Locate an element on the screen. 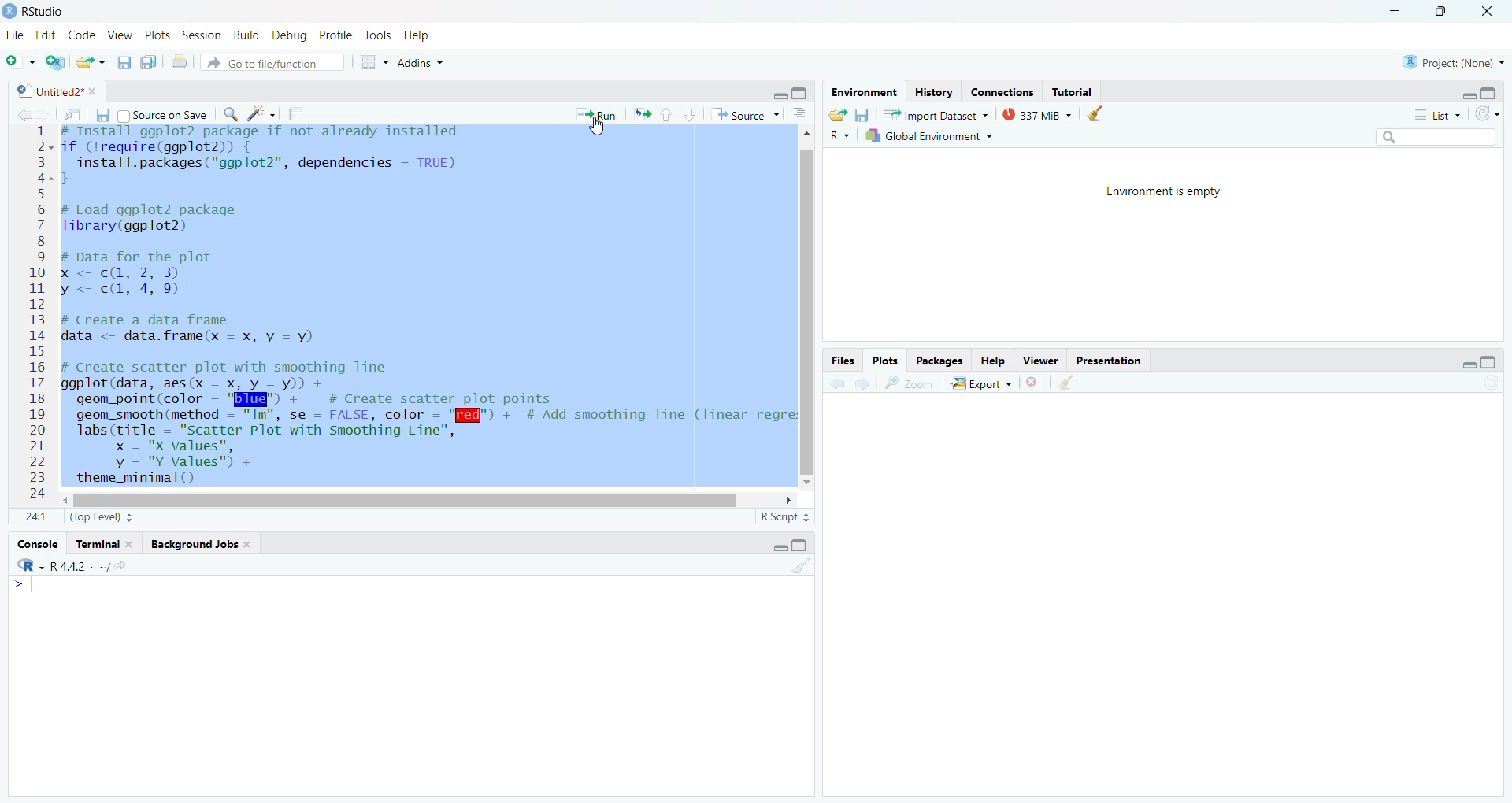 The height and width of the screenshot is (803, 1512). clear current plot is located at coordinates (1036, 383).